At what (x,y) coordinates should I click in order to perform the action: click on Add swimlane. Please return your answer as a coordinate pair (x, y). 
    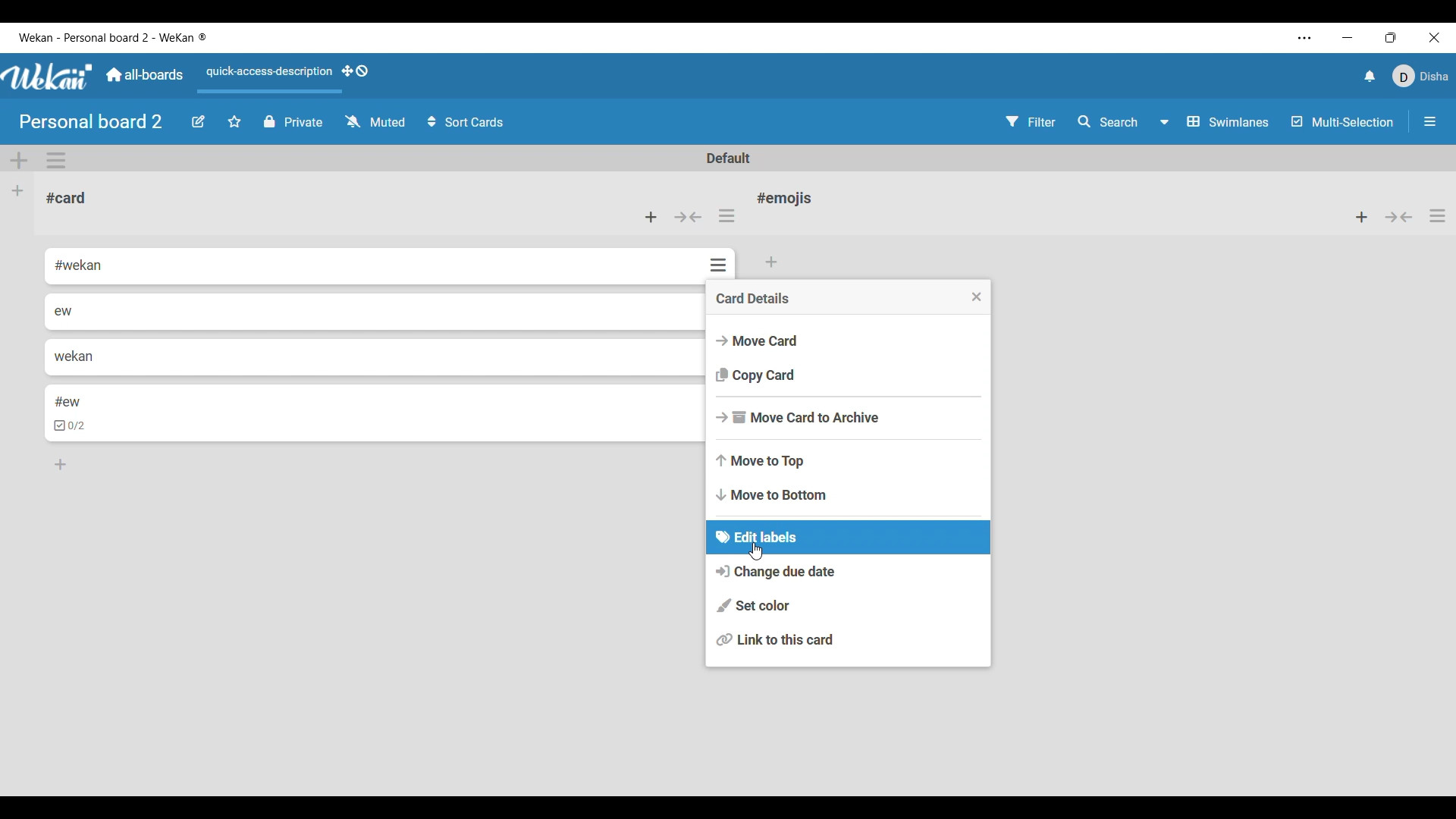
    Looking at the image, I should click on (19, 161).